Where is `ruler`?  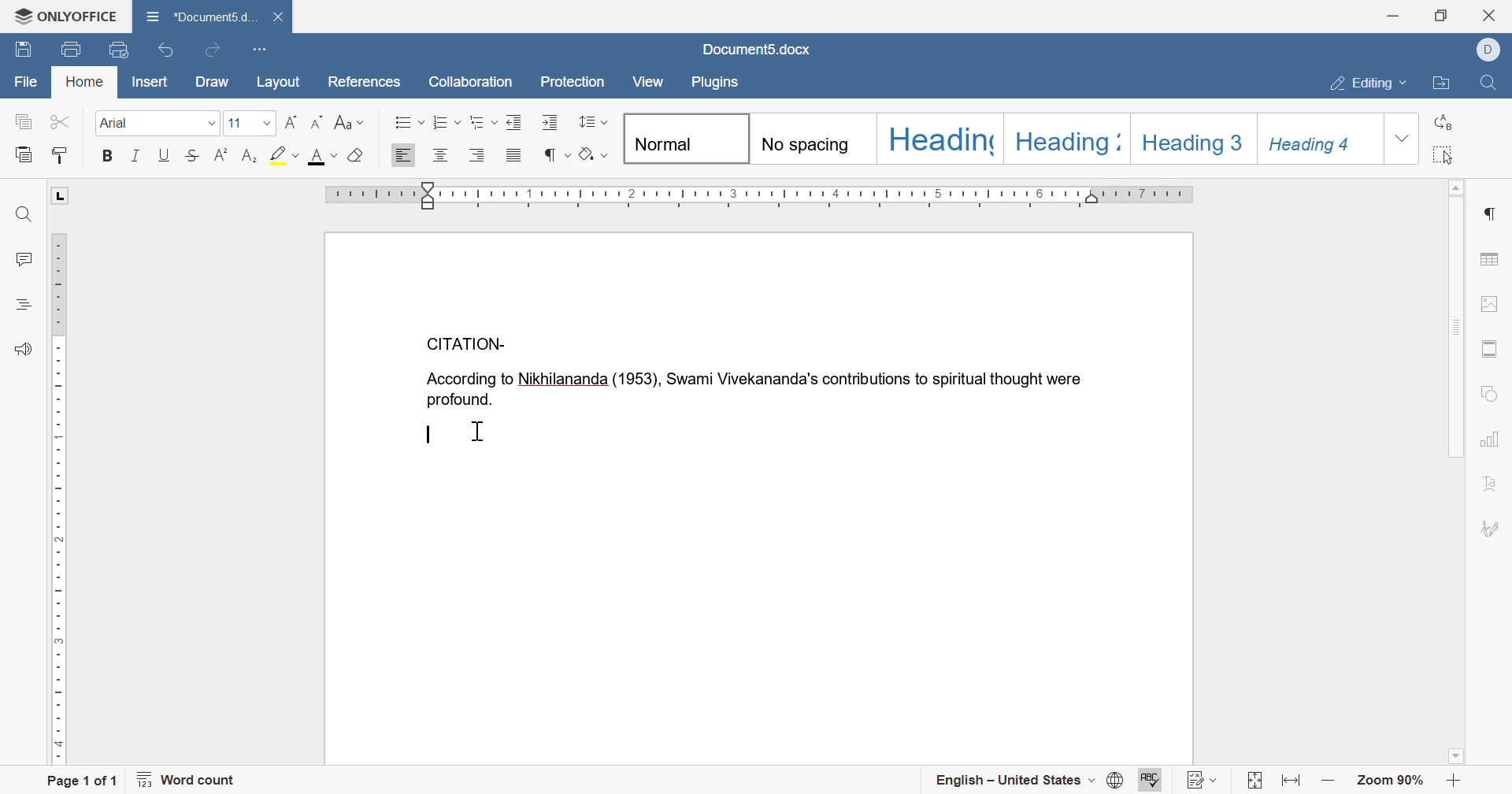 ruler is located at coordinates (759, 197).